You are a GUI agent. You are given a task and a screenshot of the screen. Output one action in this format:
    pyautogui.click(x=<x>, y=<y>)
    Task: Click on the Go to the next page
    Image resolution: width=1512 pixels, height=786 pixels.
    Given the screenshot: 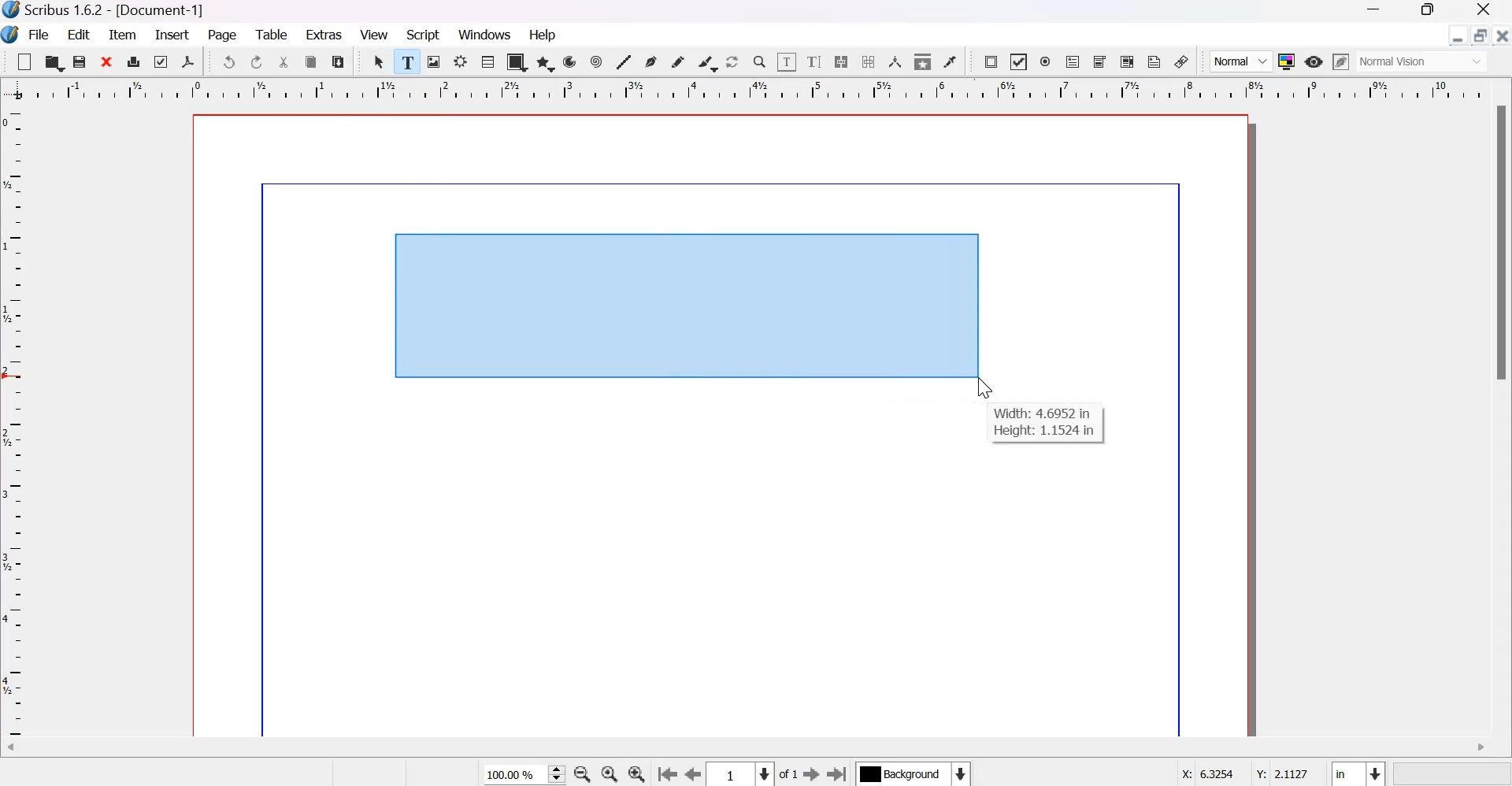 What is the action you would take?
    pyautogui.click(x=811, y=774)
    